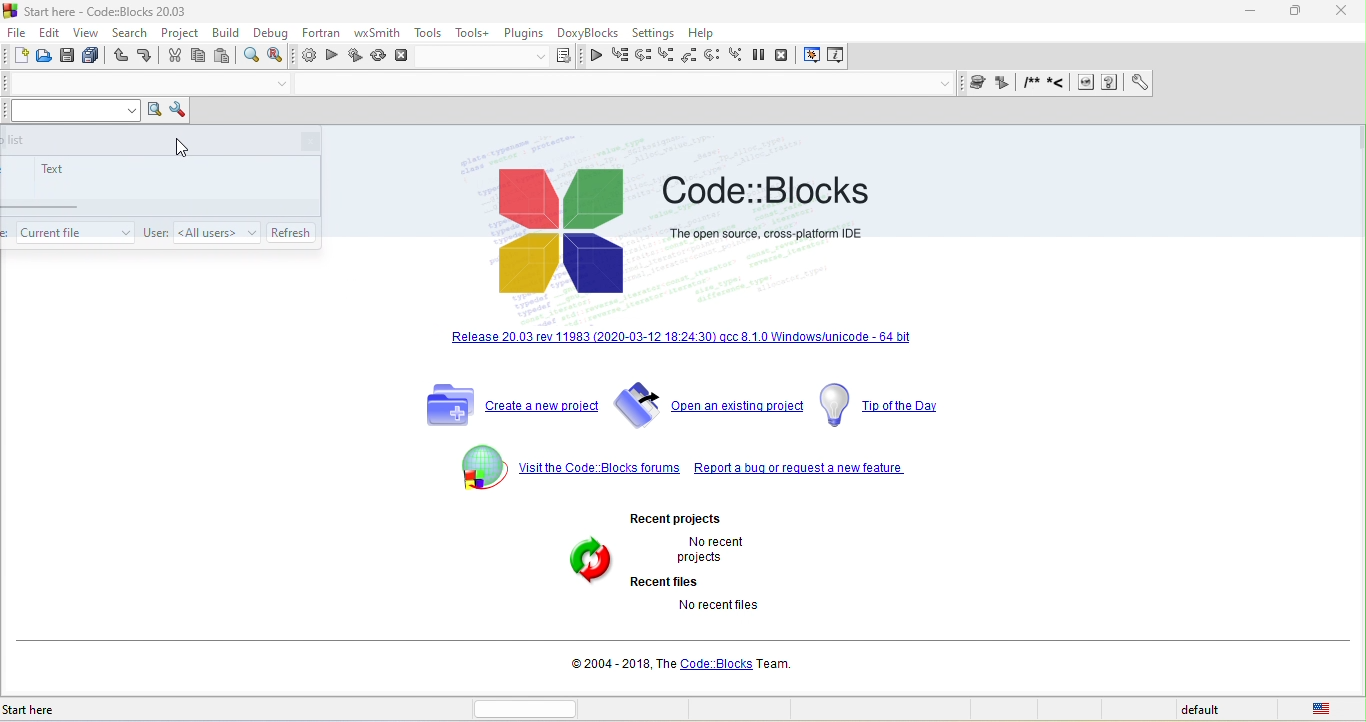 This screenshot has width=1366, height=722. What do you see at coordinates (727, 549) in the screenshot?
I see `no recent projects ` at bounding box center [727, 549].